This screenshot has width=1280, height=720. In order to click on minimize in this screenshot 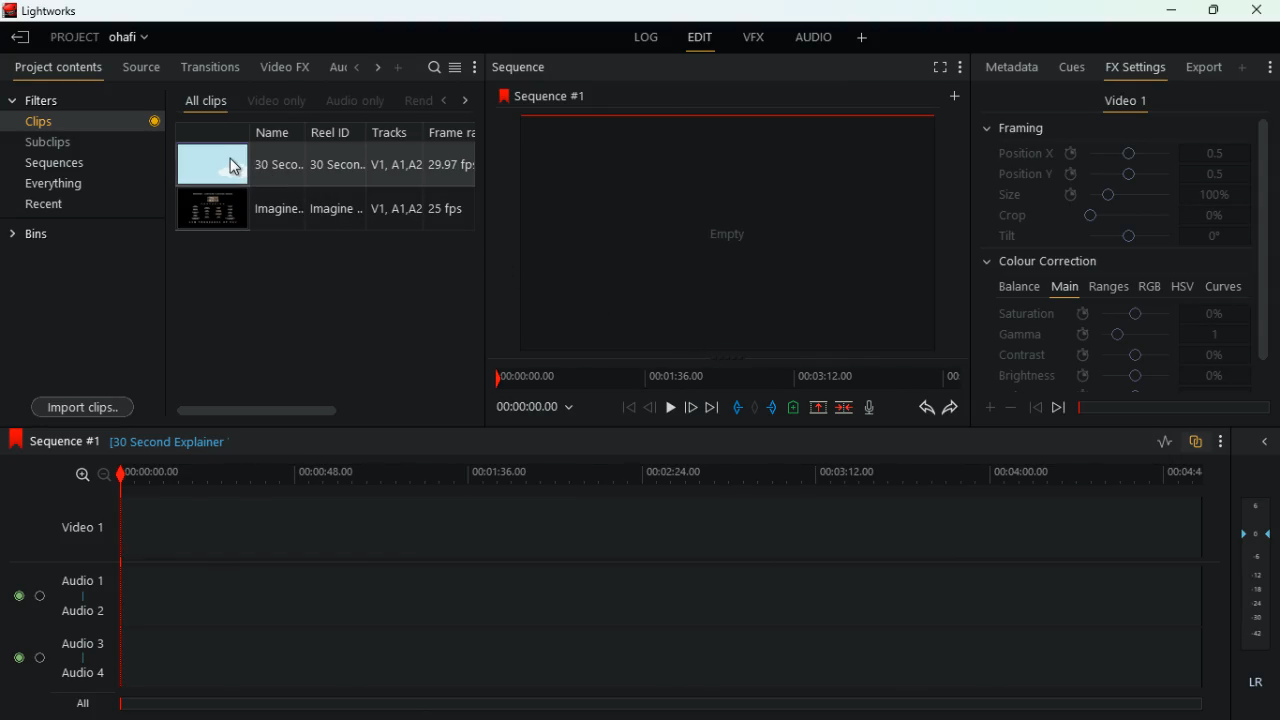, I will do `click(1171, 12)`.